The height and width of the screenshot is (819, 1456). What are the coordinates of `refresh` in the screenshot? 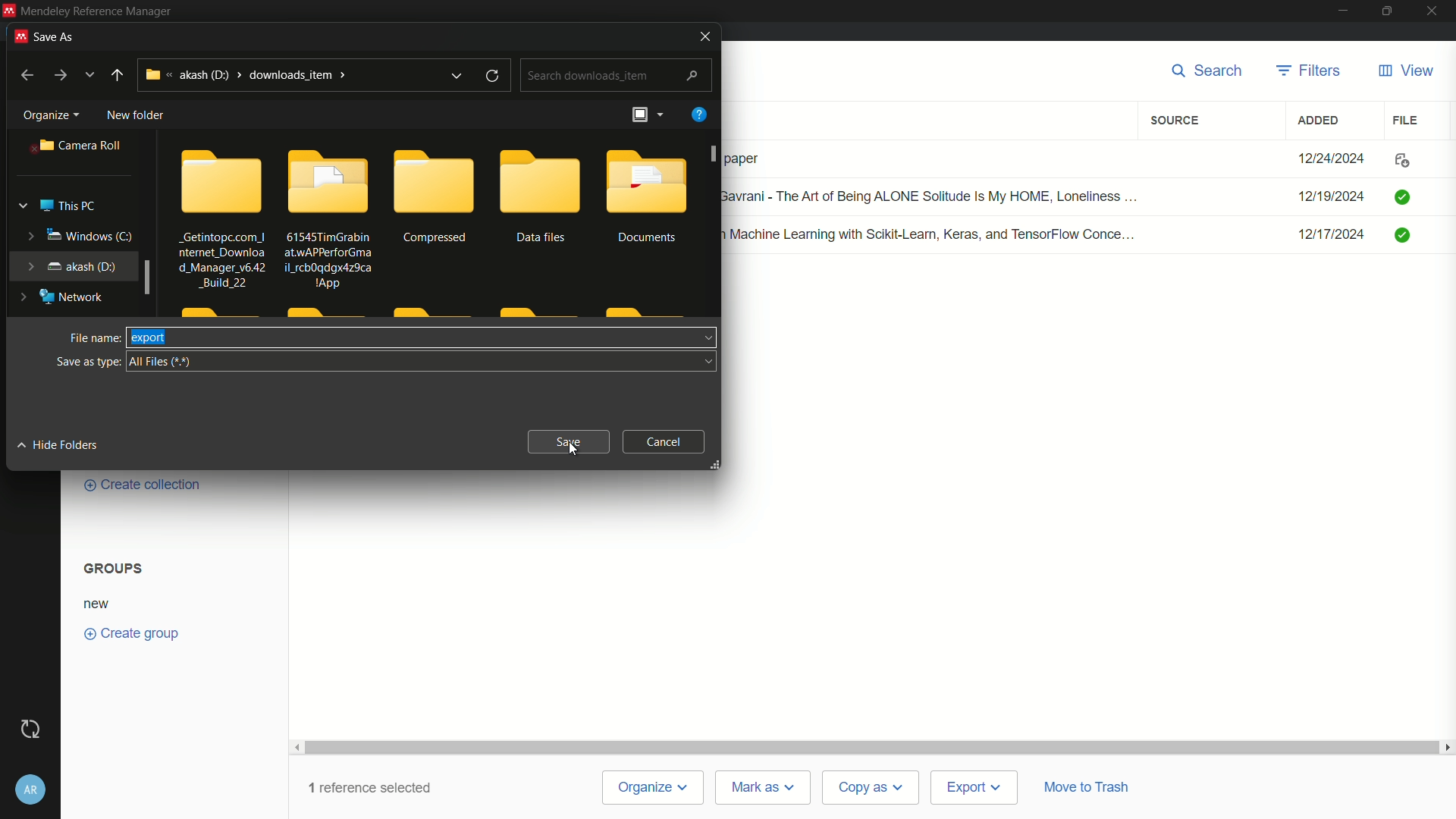 It's located at (494, 77).